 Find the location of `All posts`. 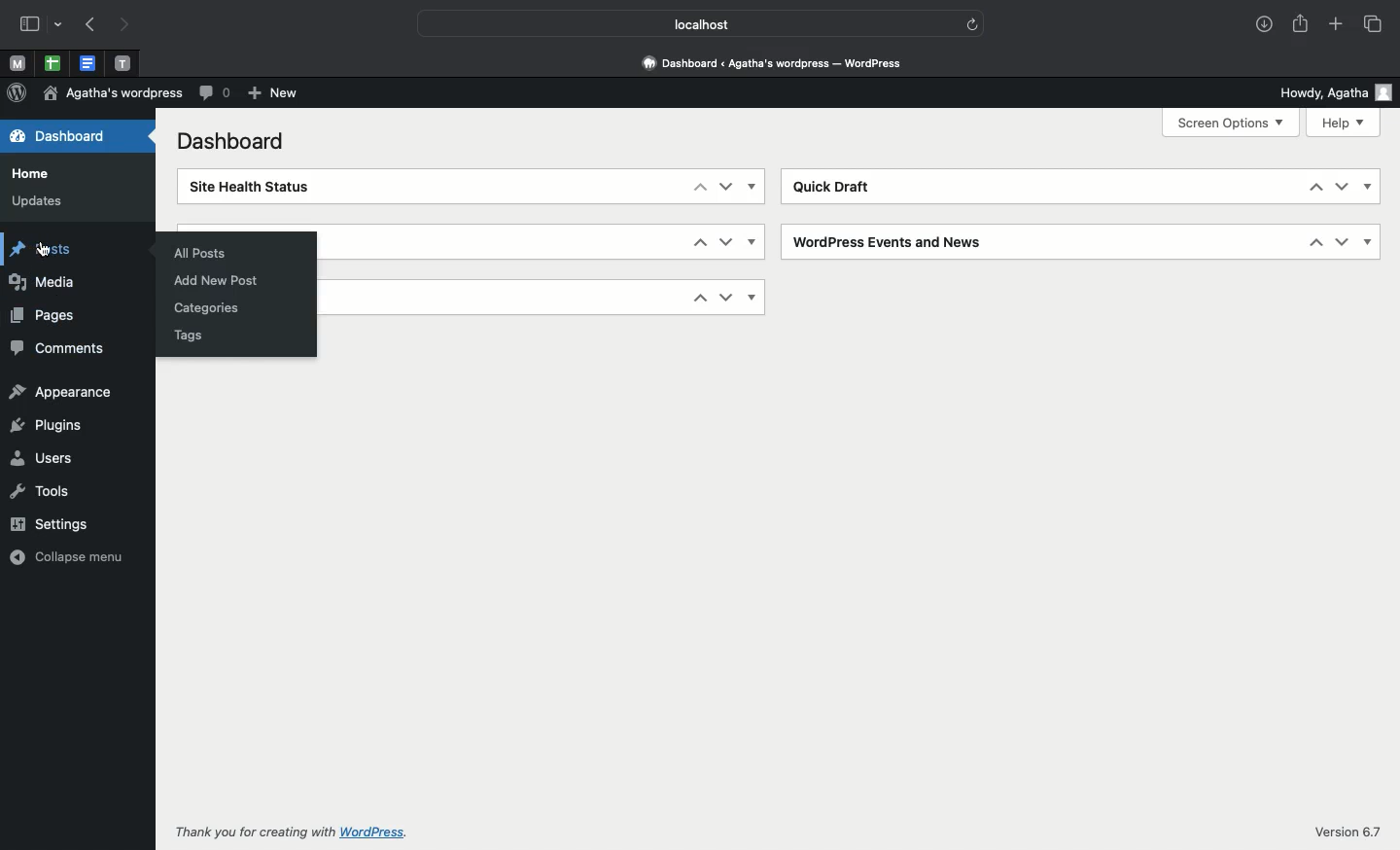

All posts is located at coordinates (198, 255).